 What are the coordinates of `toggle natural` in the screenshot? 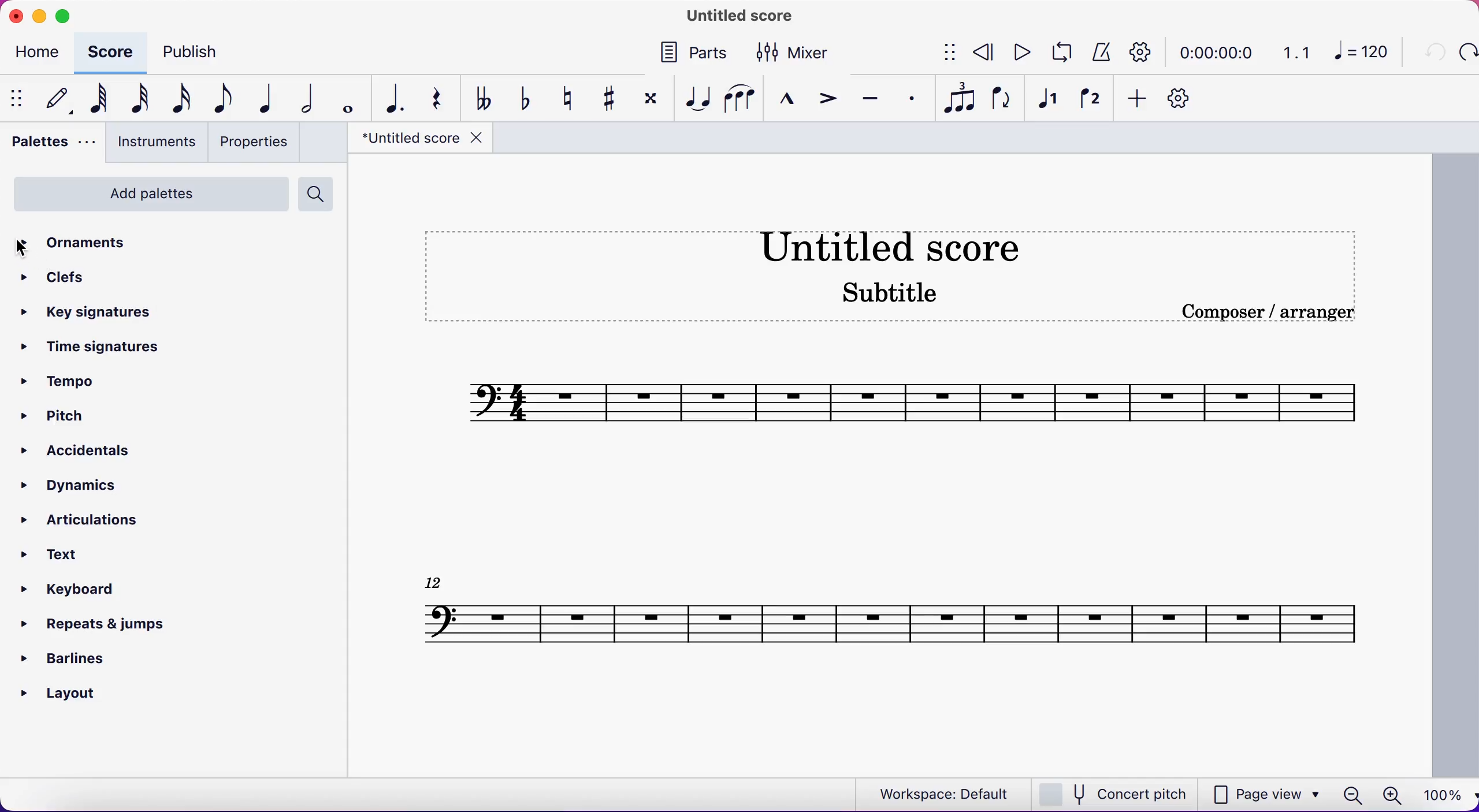 It's located at (567, 97).